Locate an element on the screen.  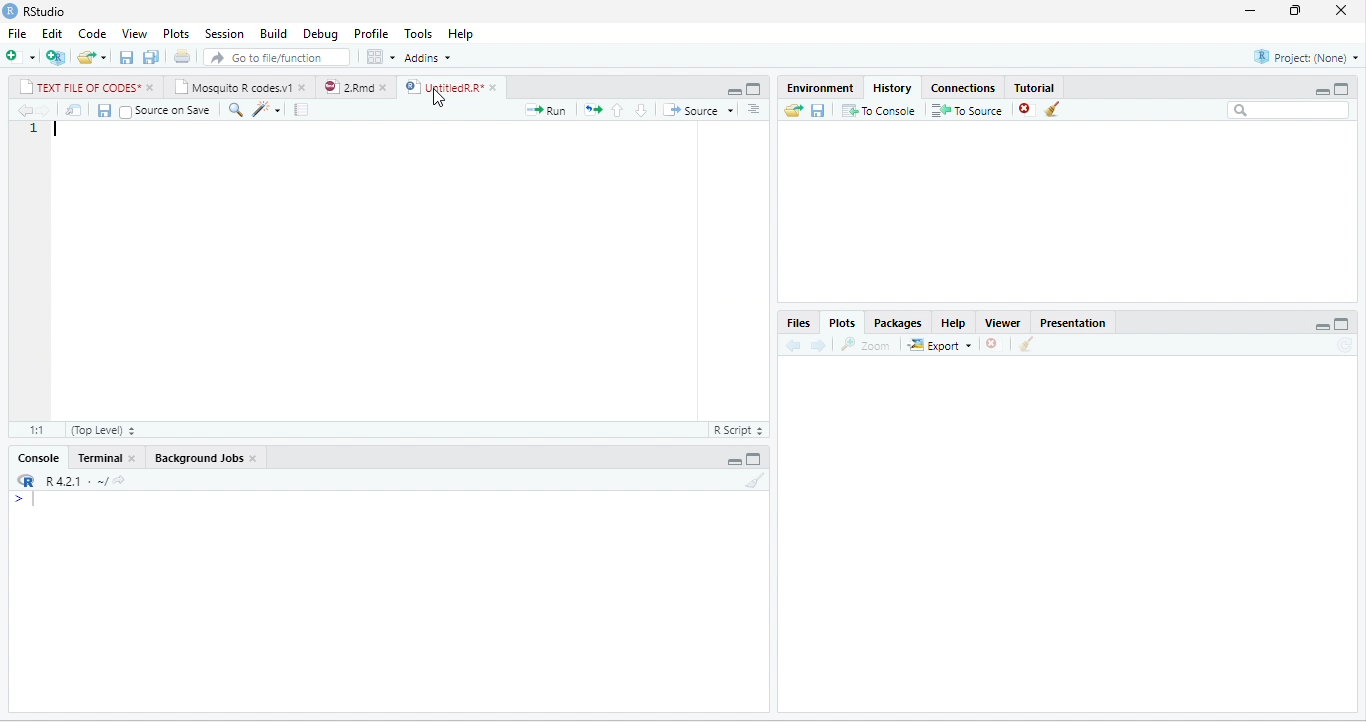
close is located at coordinates (134, 458).